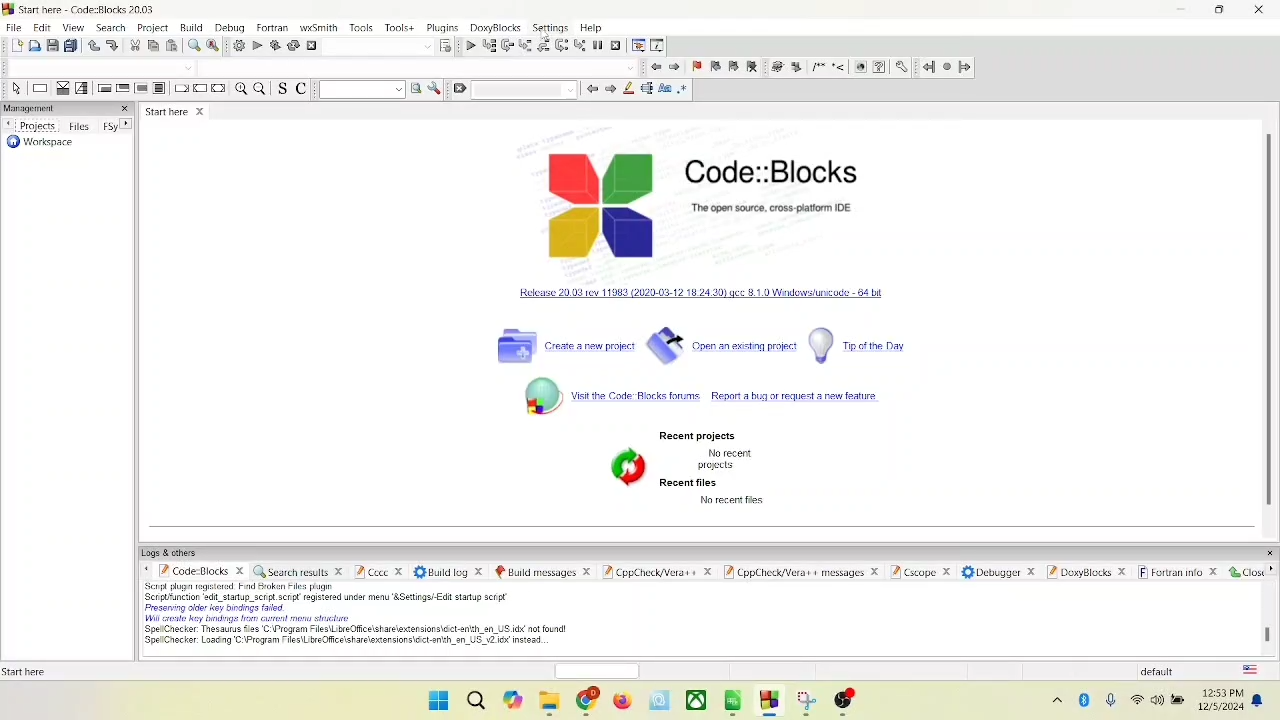 This screenshot has height=720, width=1280. I want to click on toggle source, so click(279, 88).